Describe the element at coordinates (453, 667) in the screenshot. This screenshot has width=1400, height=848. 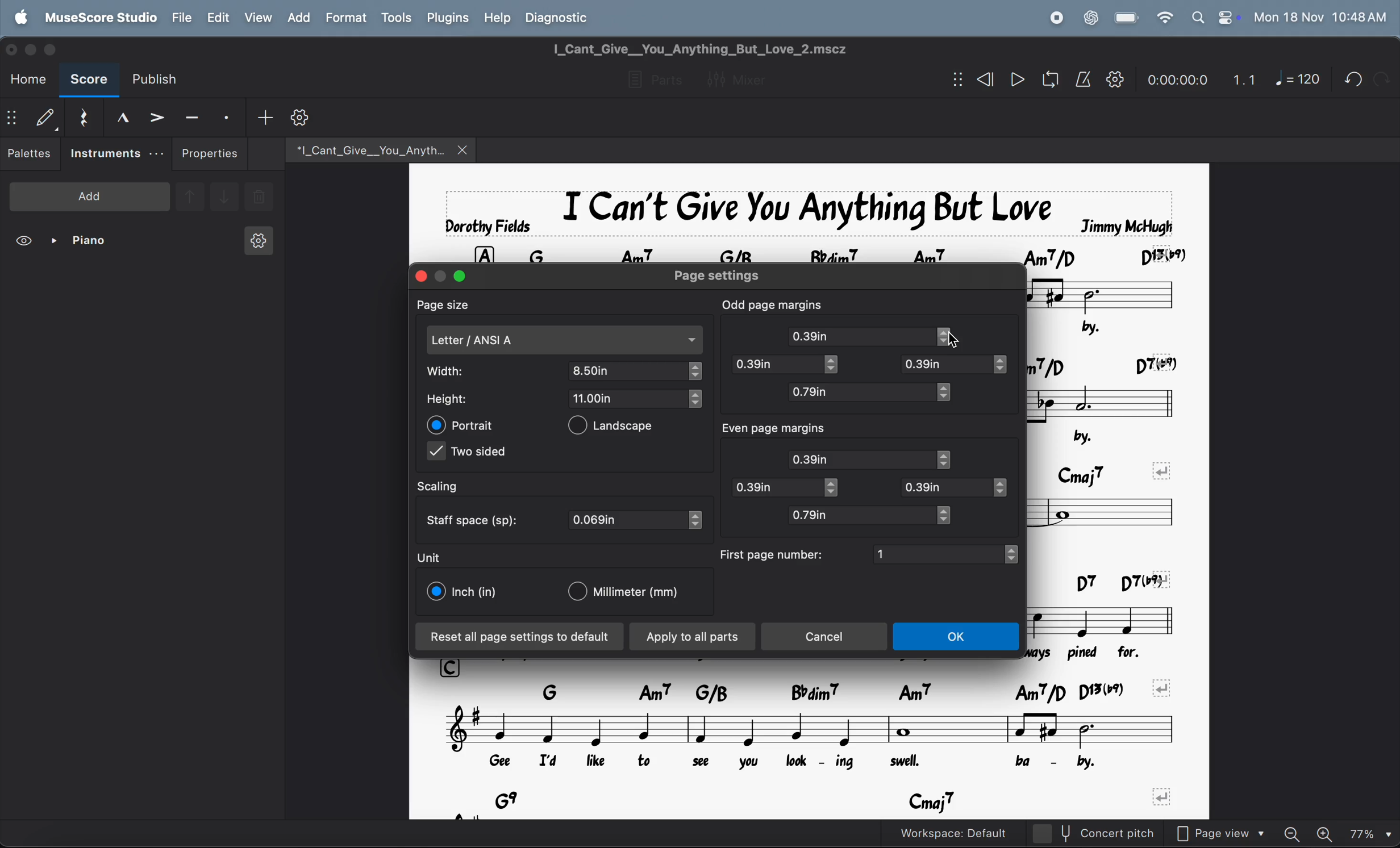
I see `rows` at that location.